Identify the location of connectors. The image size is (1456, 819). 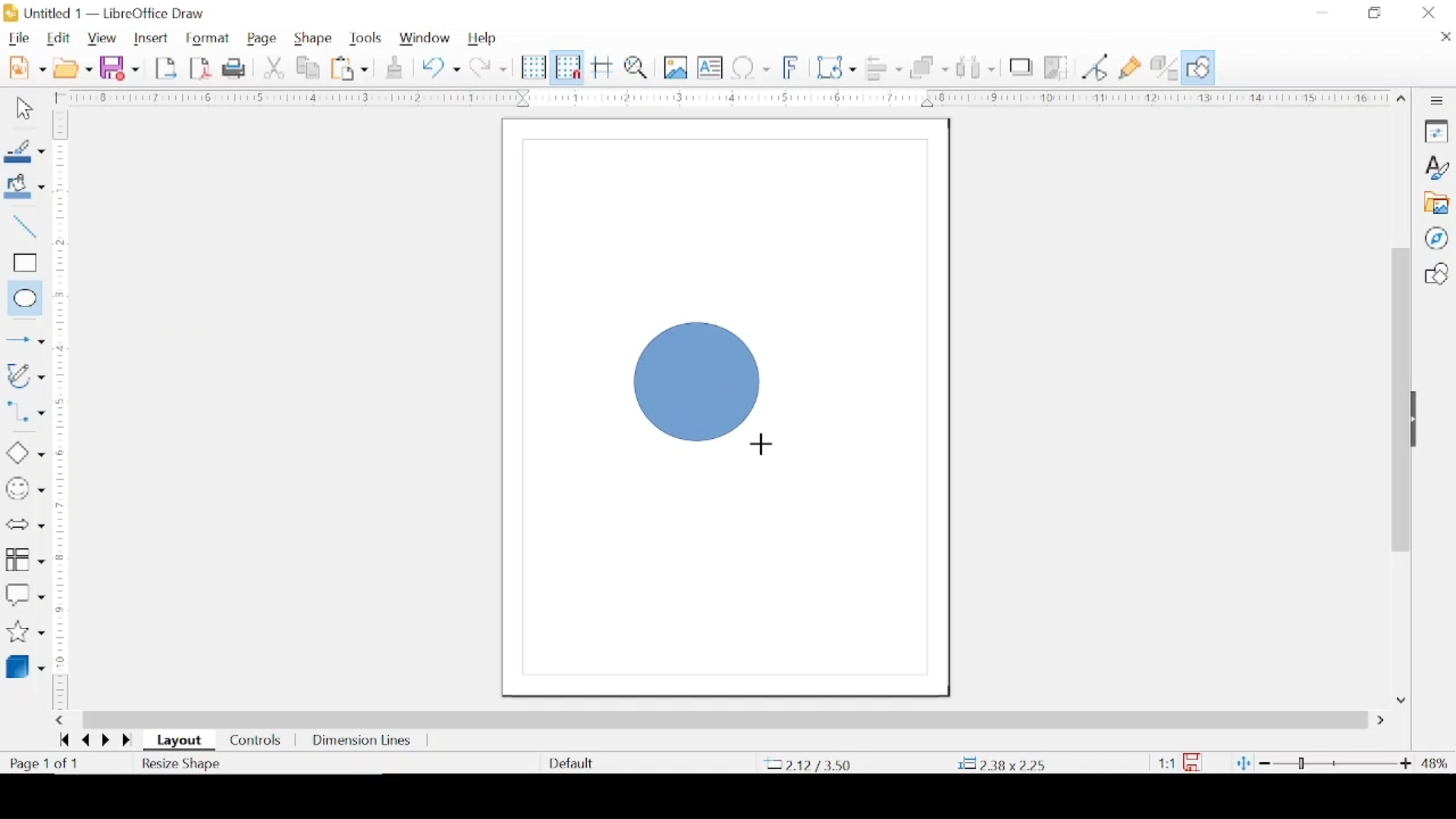
(25, 416).